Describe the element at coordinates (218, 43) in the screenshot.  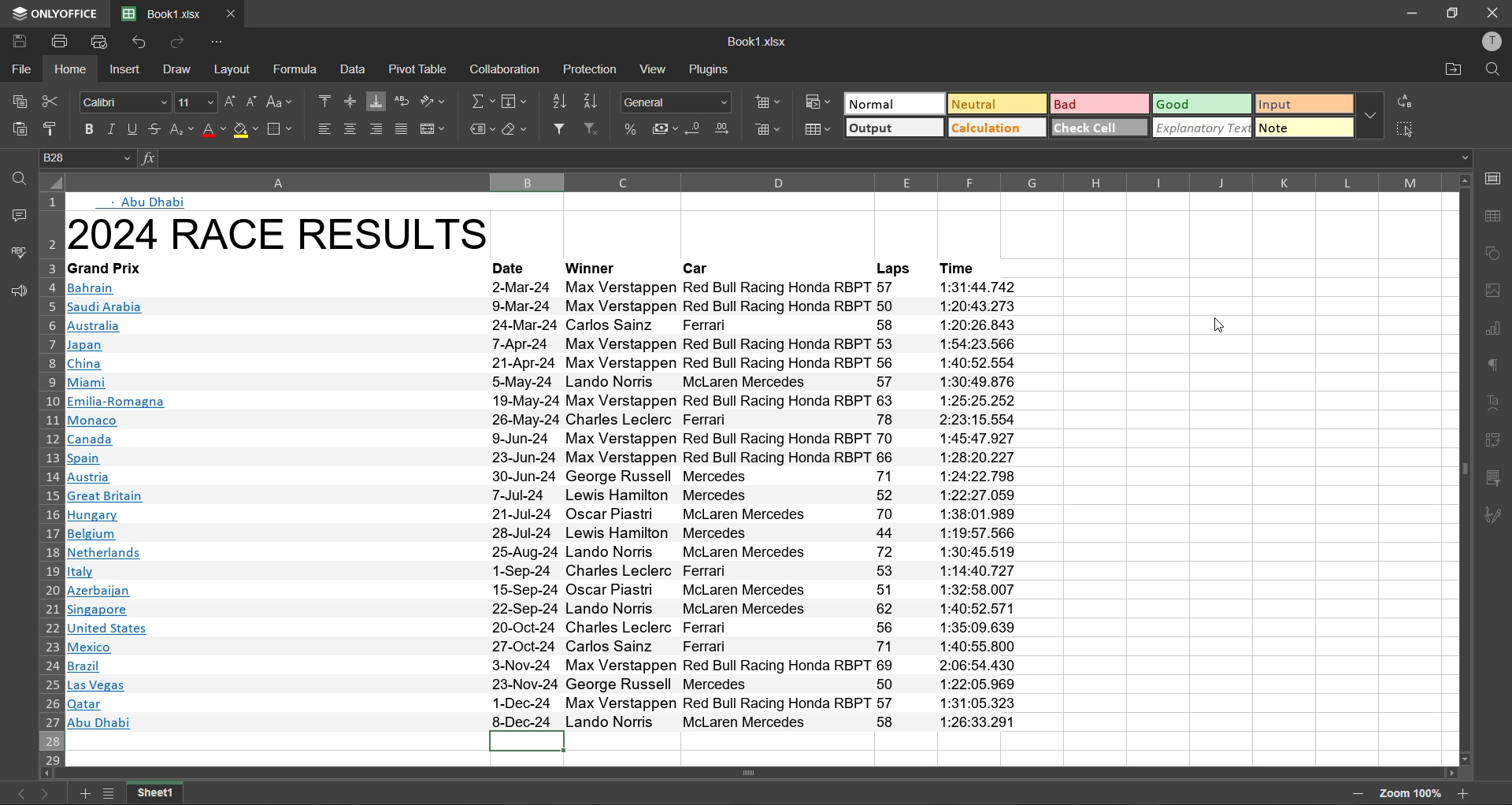
I see `customize quick access toolbar` at that location.